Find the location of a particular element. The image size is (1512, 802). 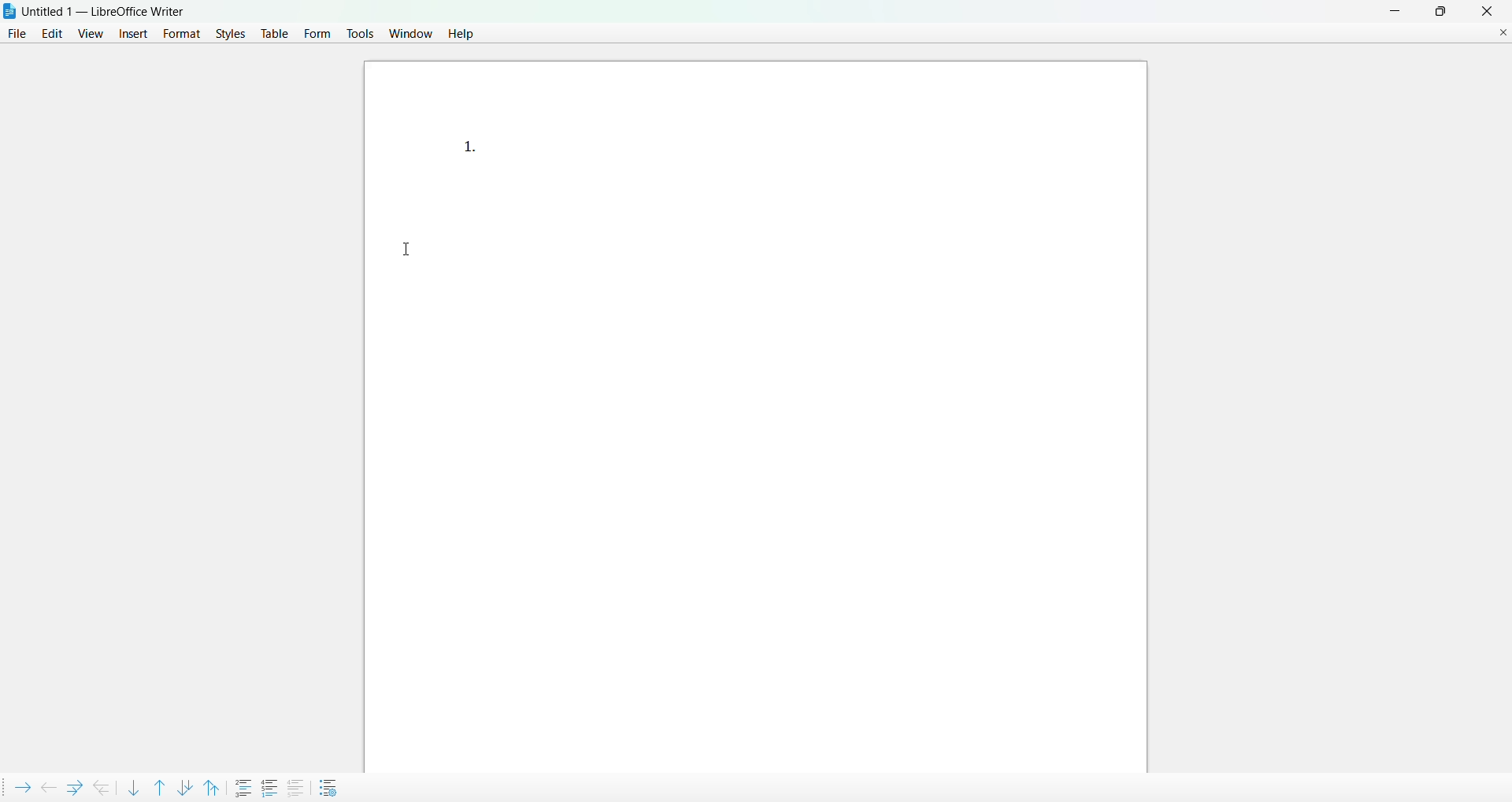

canvas is located at coordinates (845, 425).